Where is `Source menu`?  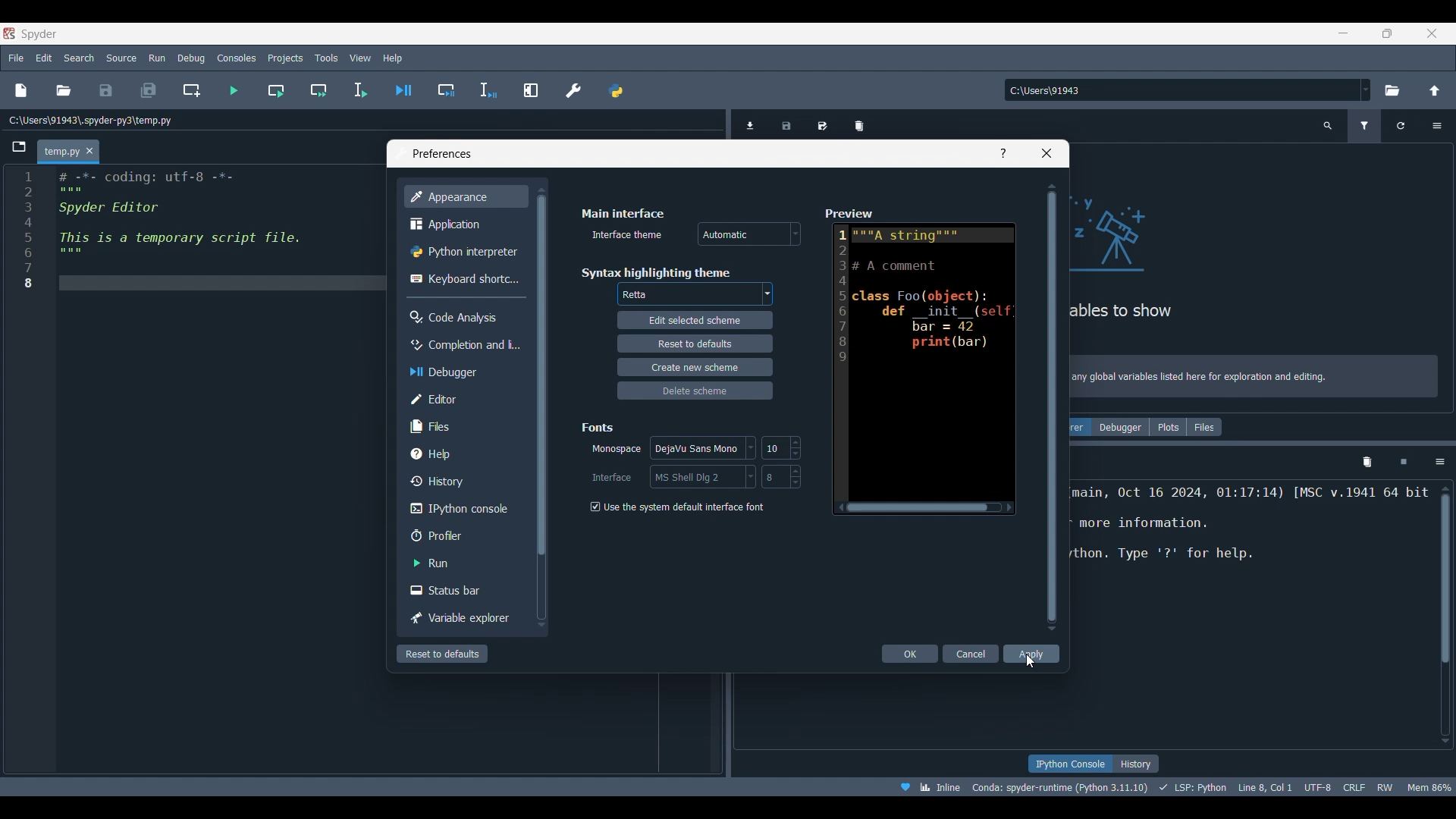 Source menu is located at coordinates (122, 57).